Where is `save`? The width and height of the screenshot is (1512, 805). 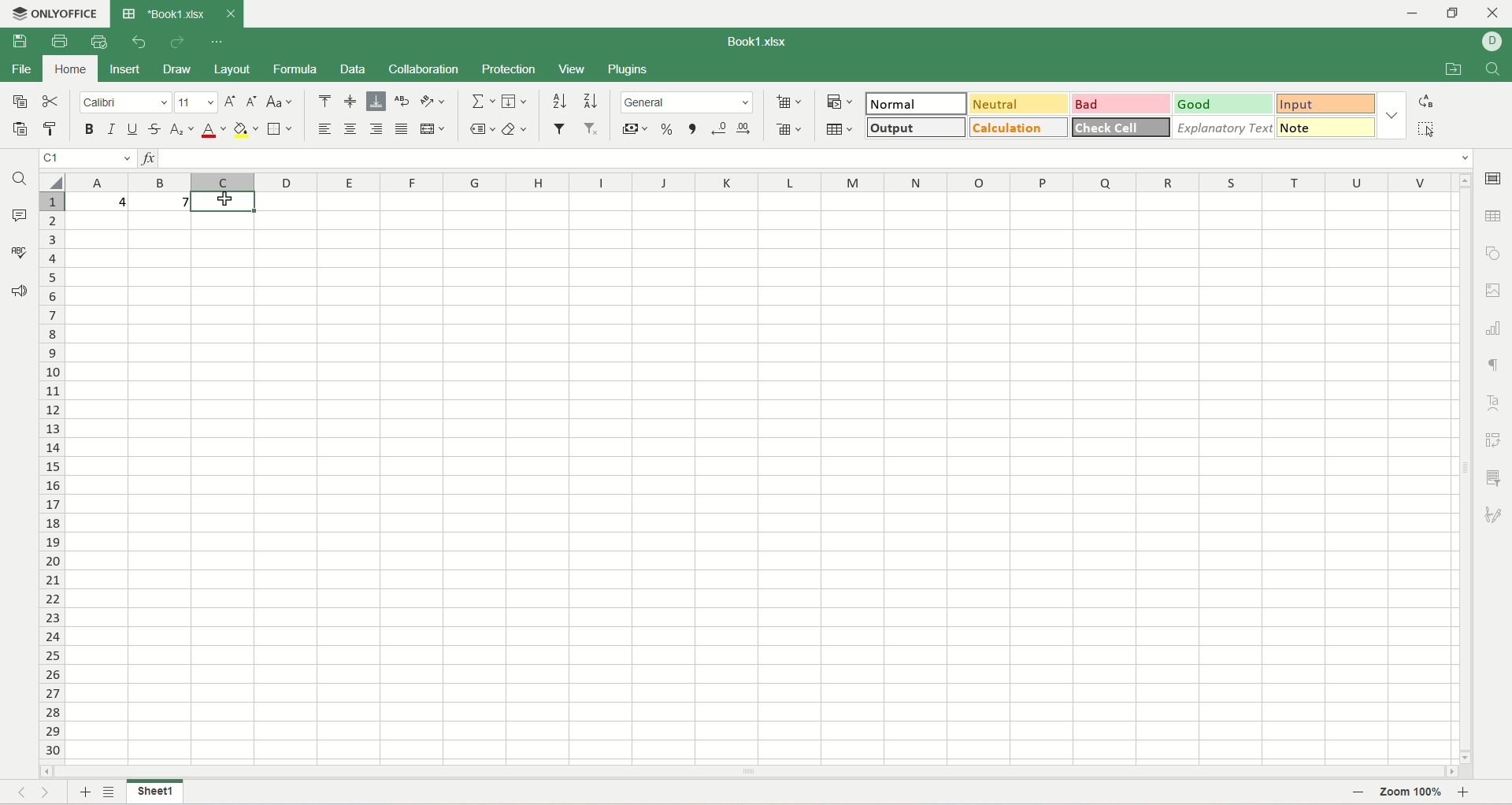 save is located at coordinates (20, 40).